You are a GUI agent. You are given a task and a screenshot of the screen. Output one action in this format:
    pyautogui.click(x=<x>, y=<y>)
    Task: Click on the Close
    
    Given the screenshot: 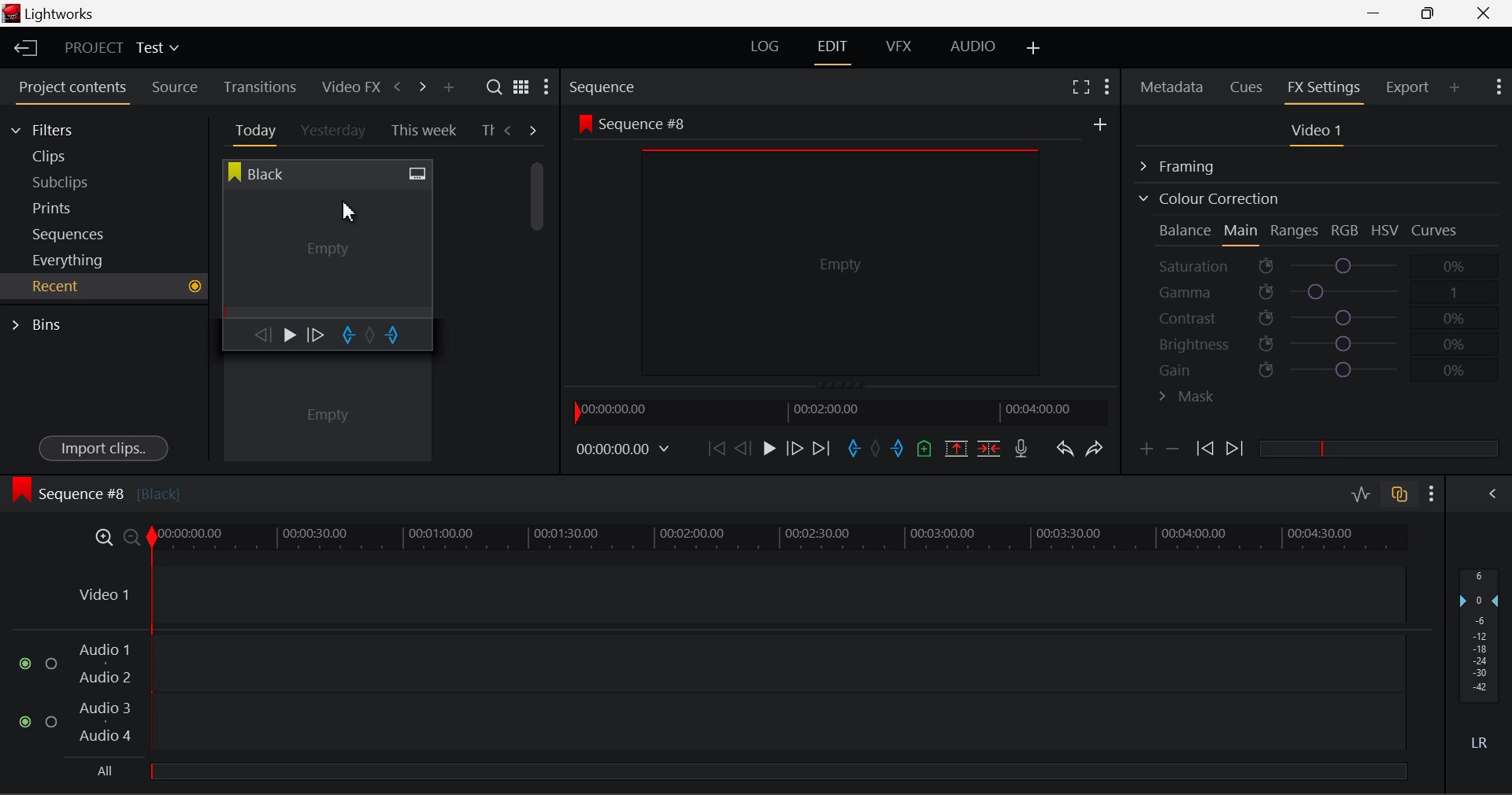 What is the action you would take?
    pyautogui.click(x=1487, y=13)
    